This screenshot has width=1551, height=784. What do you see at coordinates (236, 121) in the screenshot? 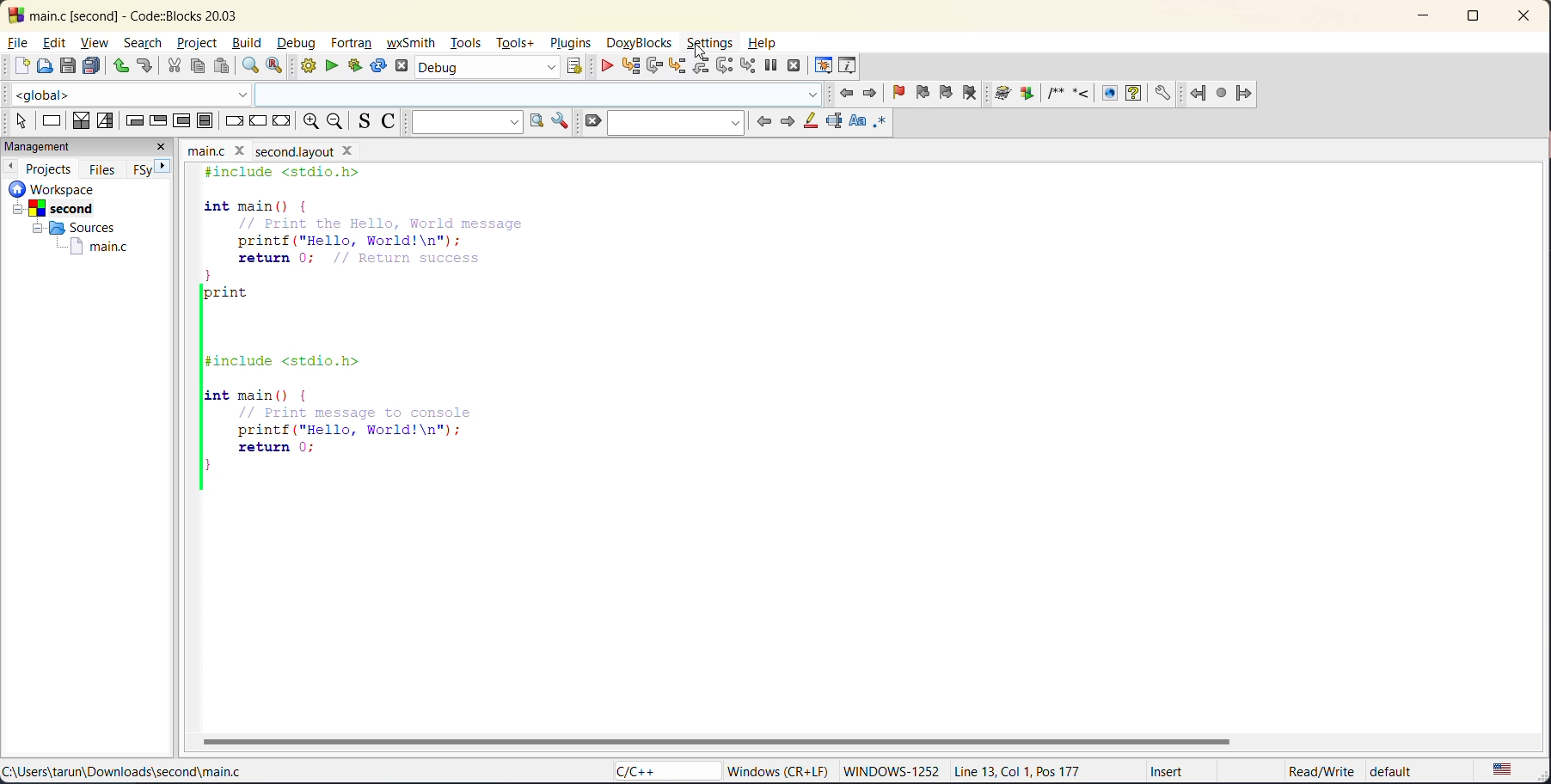
I see `break instruction` at bounding box center [236, 121].